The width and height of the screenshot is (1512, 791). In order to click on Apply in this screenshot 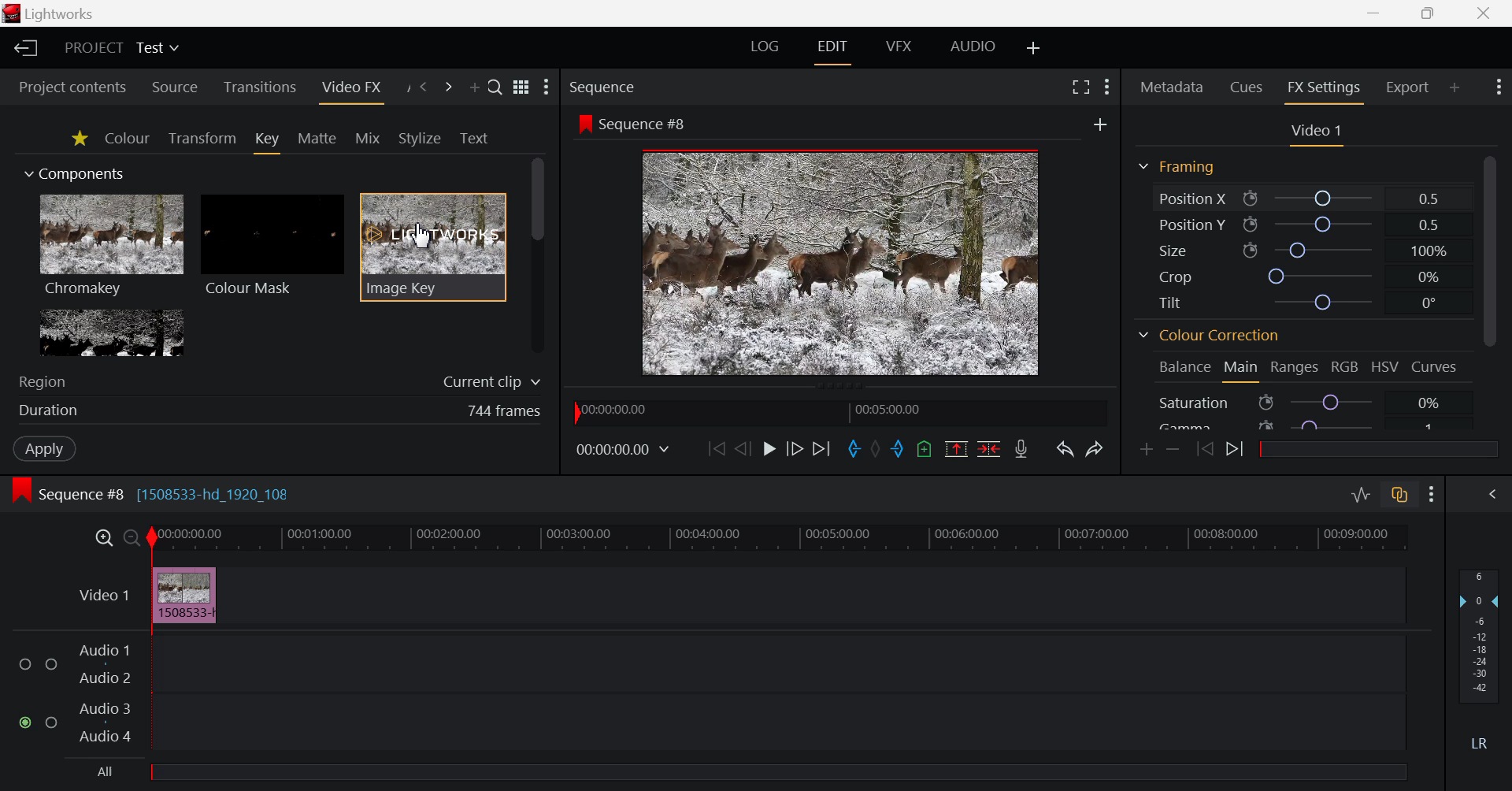, I will do `click(46, 451)`.